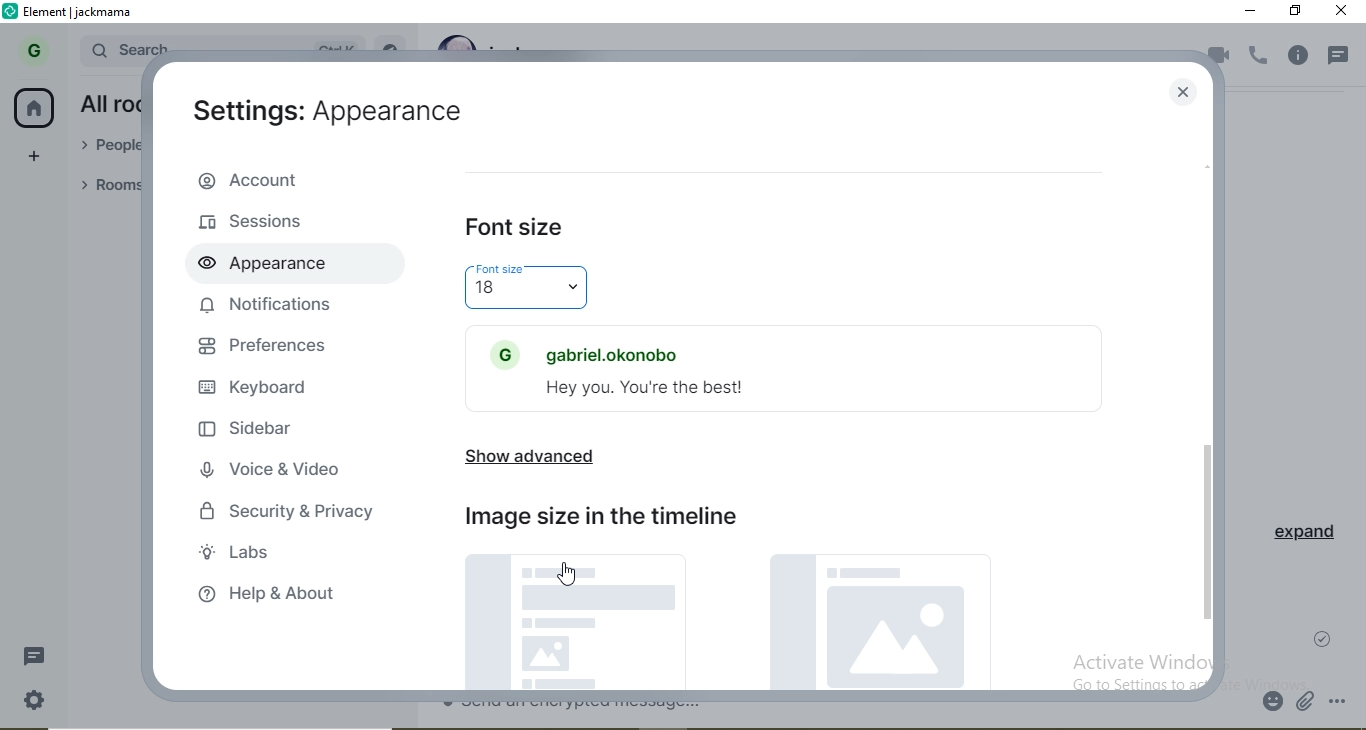 This screenshot has height=730, width=1366. I want to click on rooms, so click(105, 187).